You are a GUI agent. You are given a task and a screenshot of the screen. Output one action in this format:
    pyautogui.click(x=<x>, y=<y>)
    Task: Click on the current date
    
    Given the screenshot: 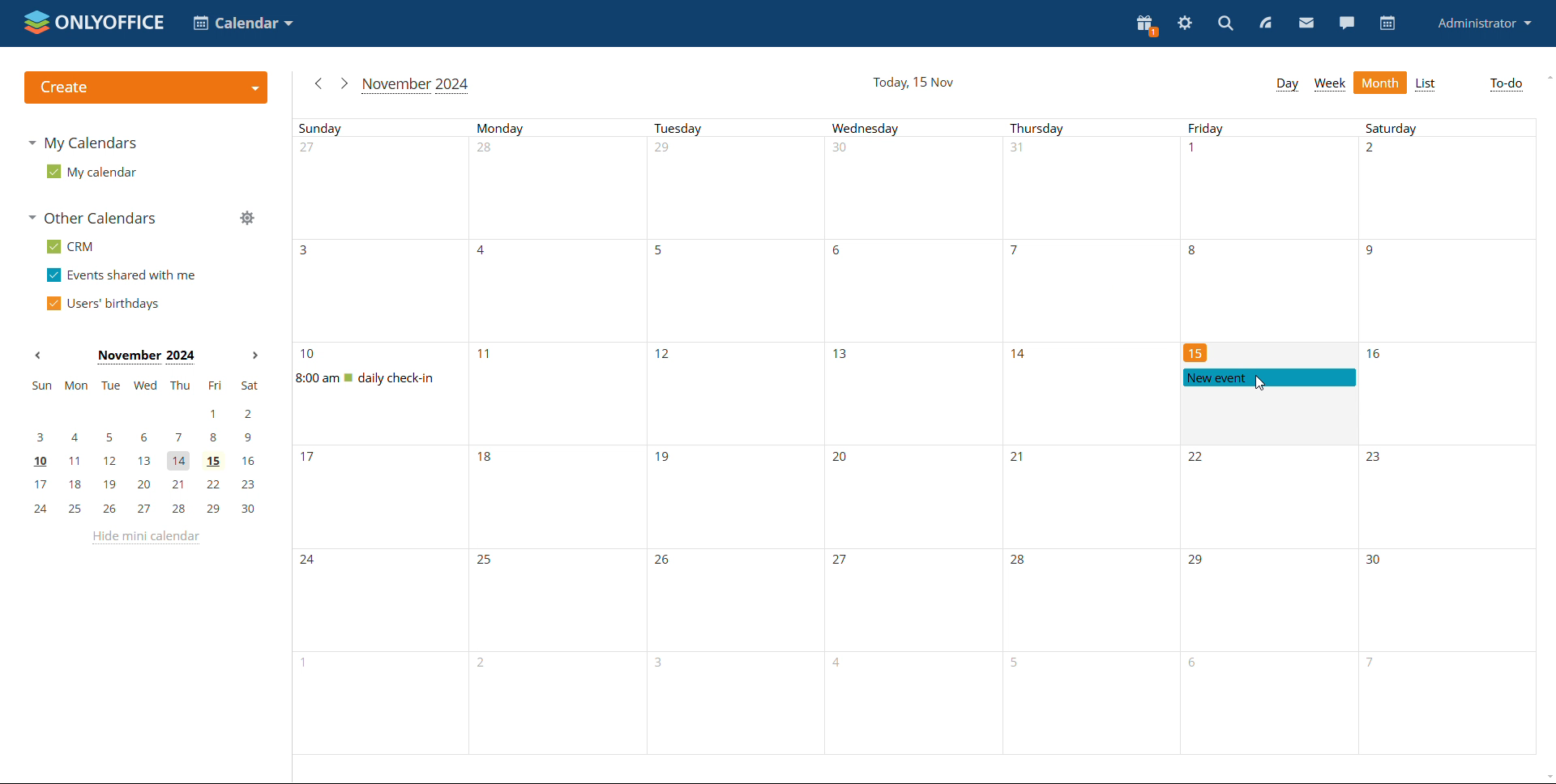 What is the action you would take?
    pyautogui.click(x=913, y=83)
    